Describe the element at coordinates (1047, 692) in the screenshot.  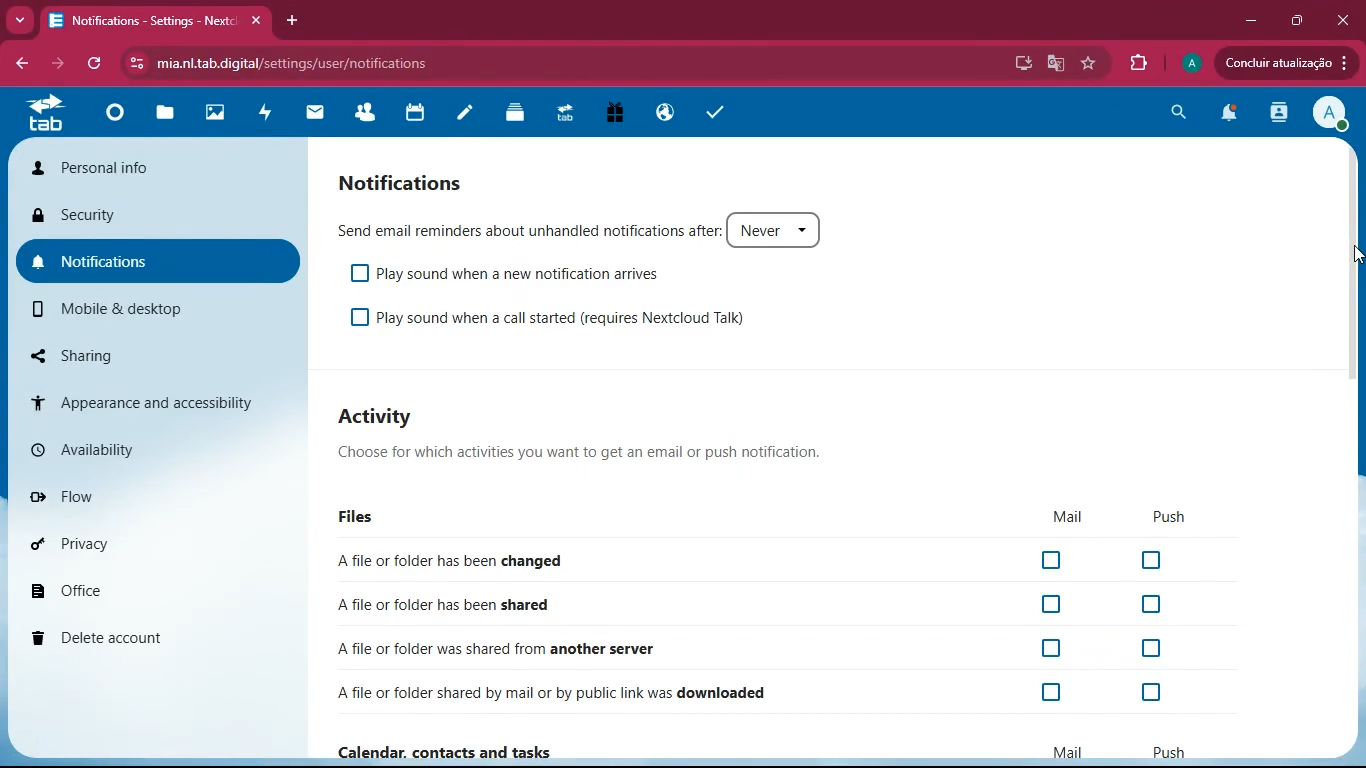
I see `Checkbox` at that location.